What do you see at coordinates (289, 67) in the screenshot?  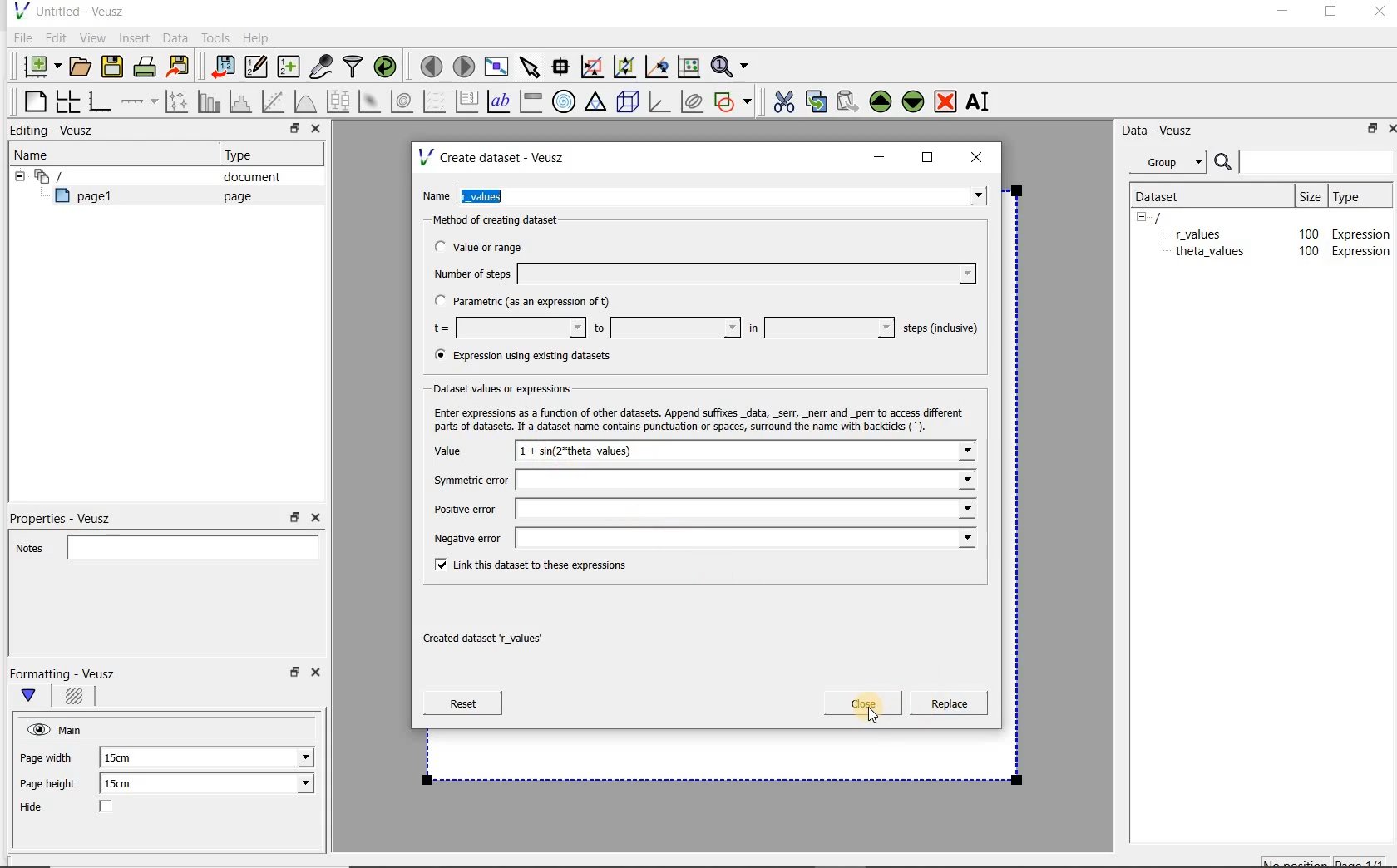 I see `create new datasets using ranges, parametrically or as functions of existing datasets` at bounding box center [289, 67].